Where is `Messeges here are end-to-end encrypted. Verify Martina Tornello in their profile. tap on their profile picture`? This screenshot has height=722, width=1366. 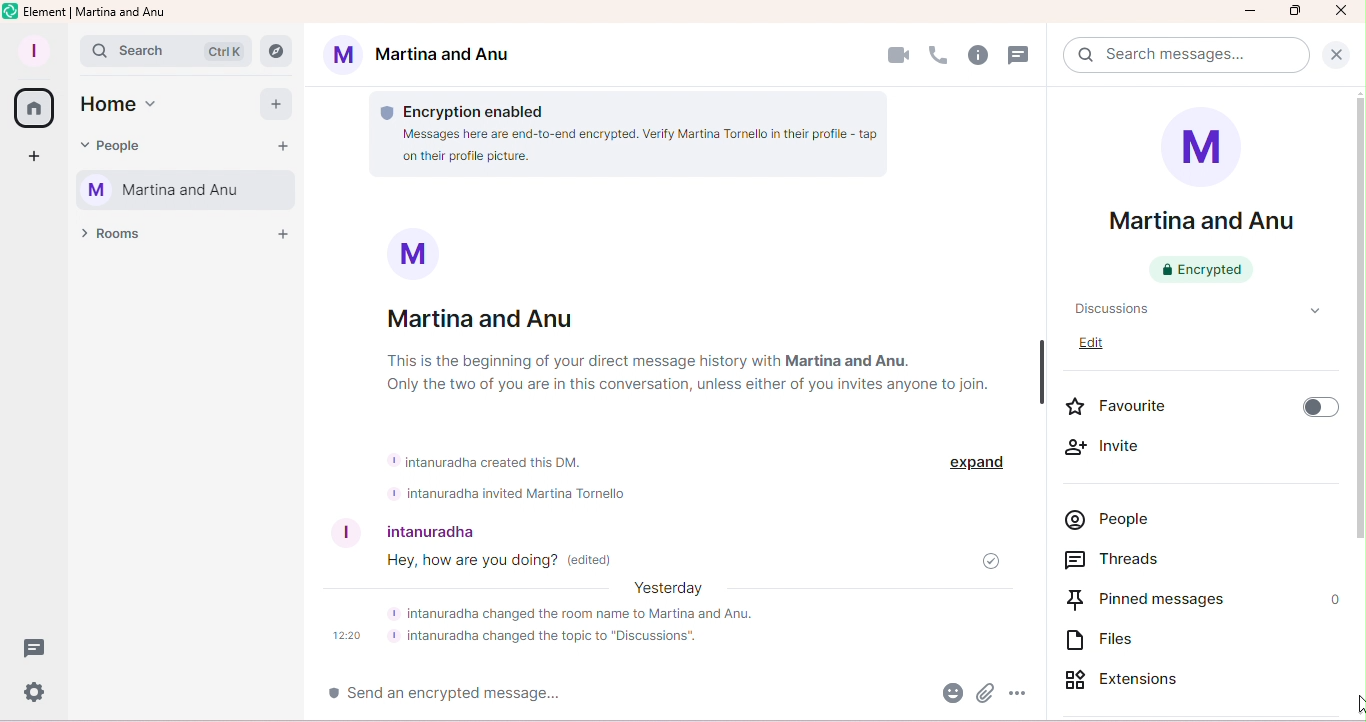
Messeges here are end-to-end encrypted. Verify Martina Tornello in their profile. tap on their profile picture is located at coordinates (621, 151).